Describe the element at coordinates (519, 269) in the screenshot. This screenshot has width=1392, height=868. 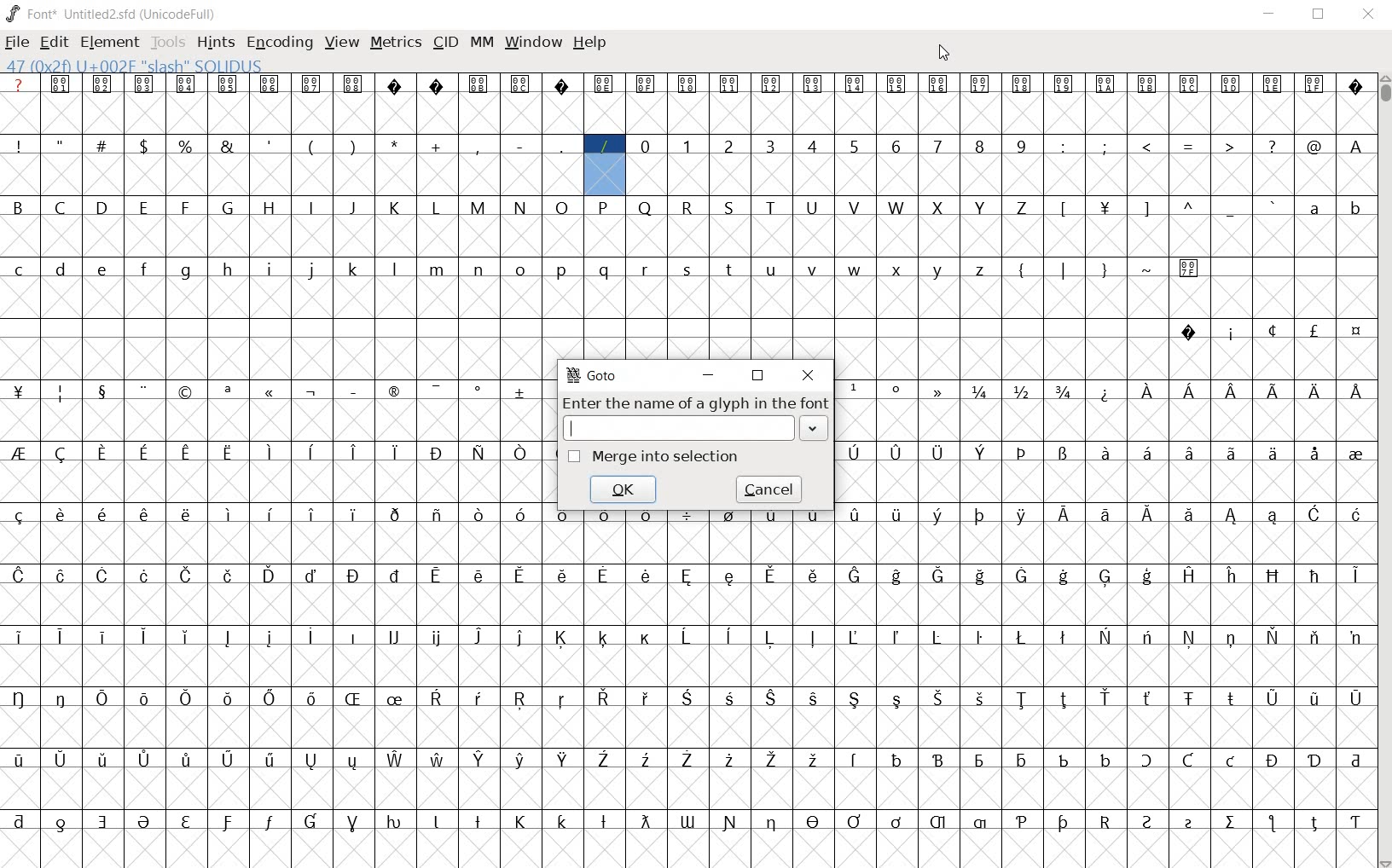
I see `glyph` at that location.